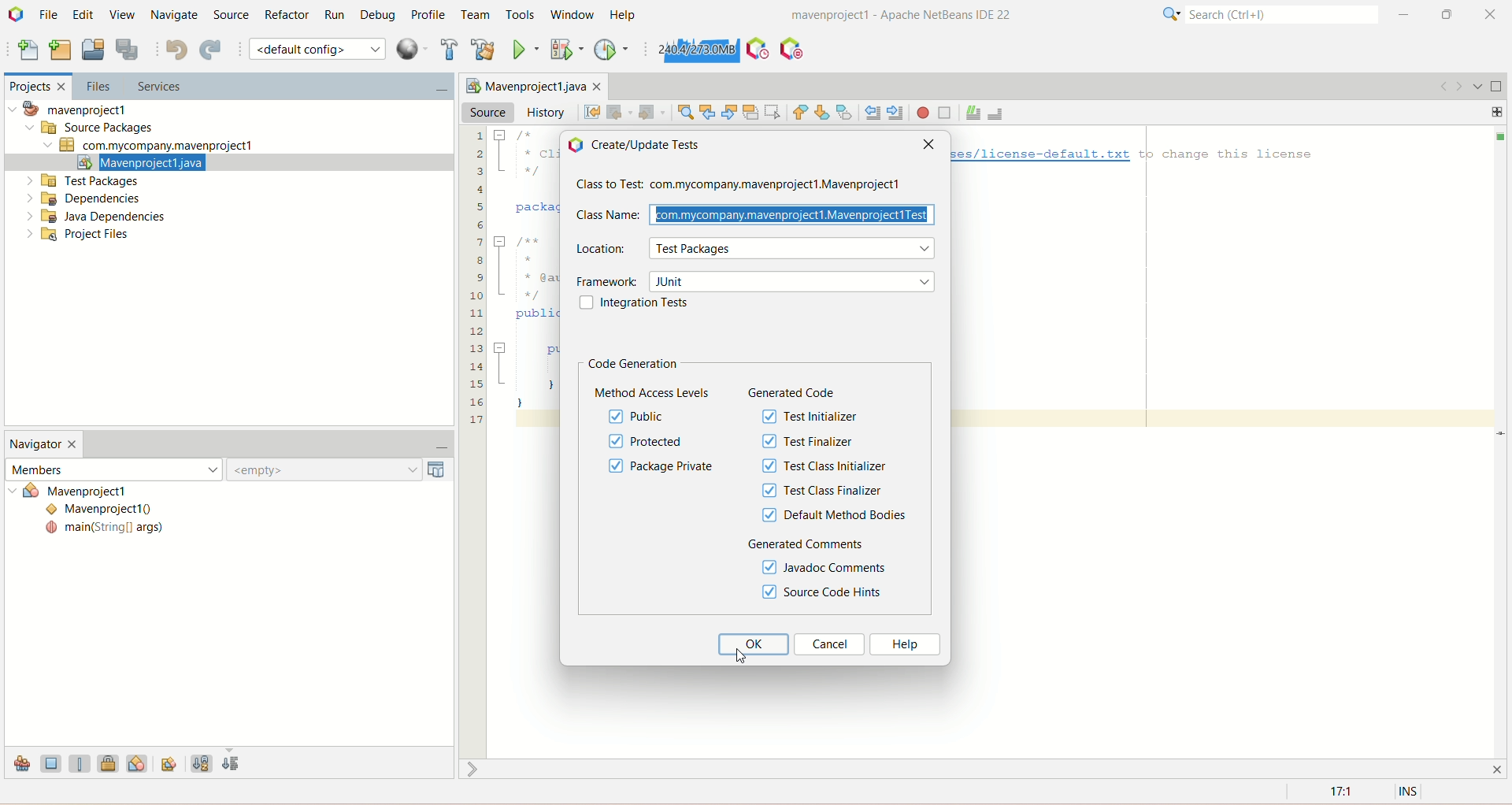 This screenshot has width=1512, height=805. I want to click on method access levels, so click(654, 393).